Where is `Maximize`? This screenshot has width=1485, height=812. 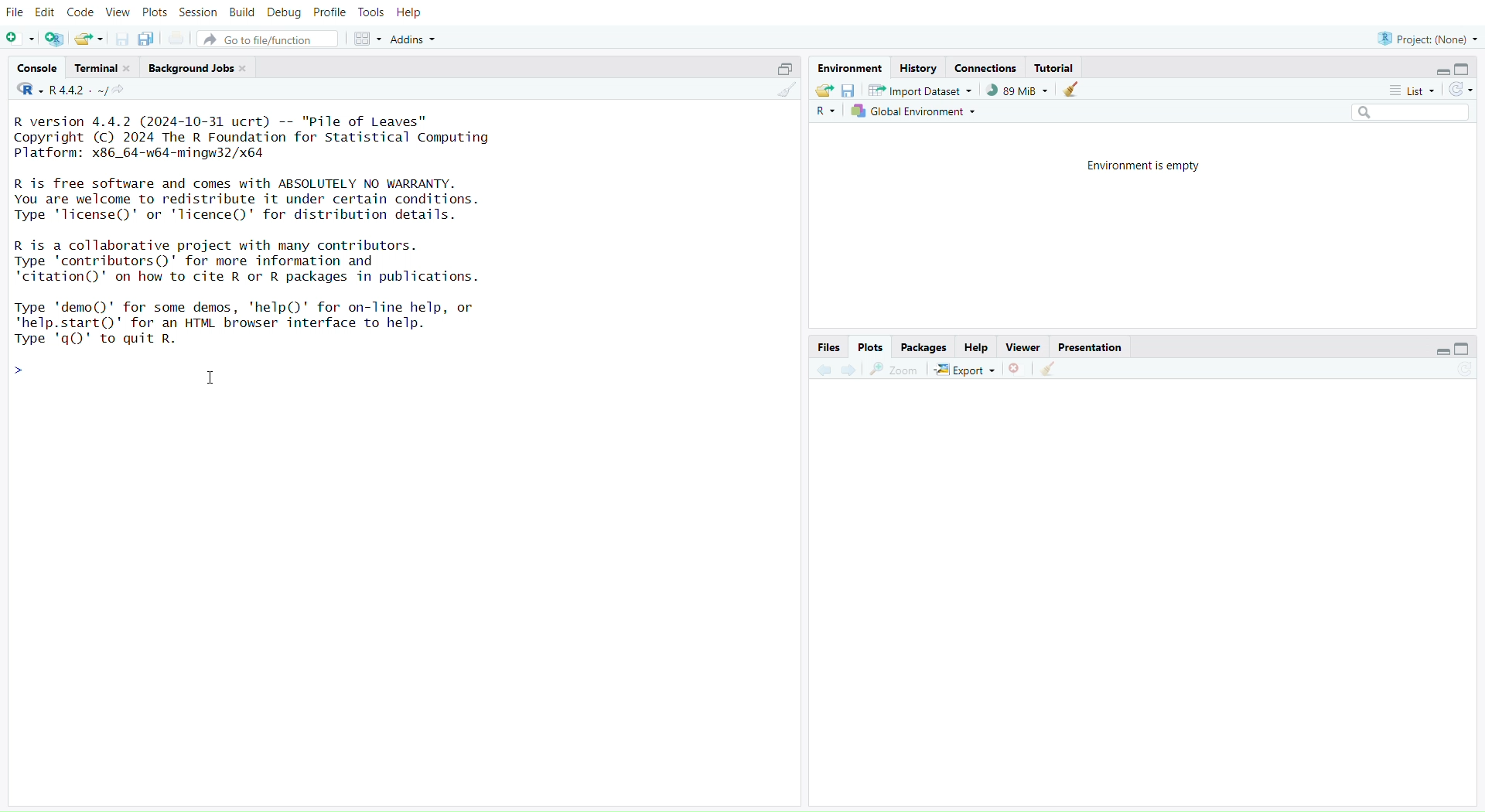
Maximize is located at coordinates (1466, 70).